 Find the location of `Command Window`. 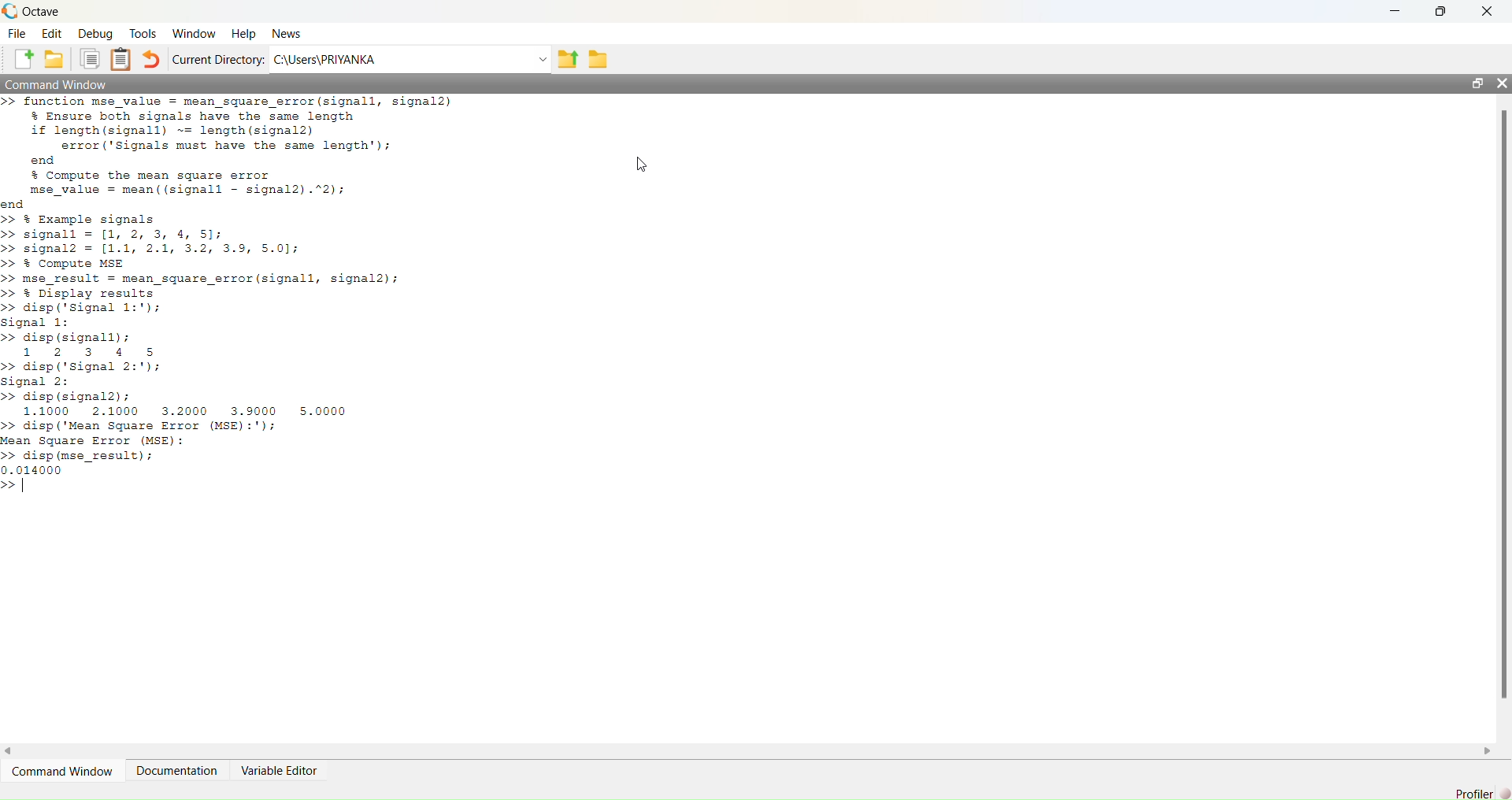

Command Window is located at coordinates (57, 83).